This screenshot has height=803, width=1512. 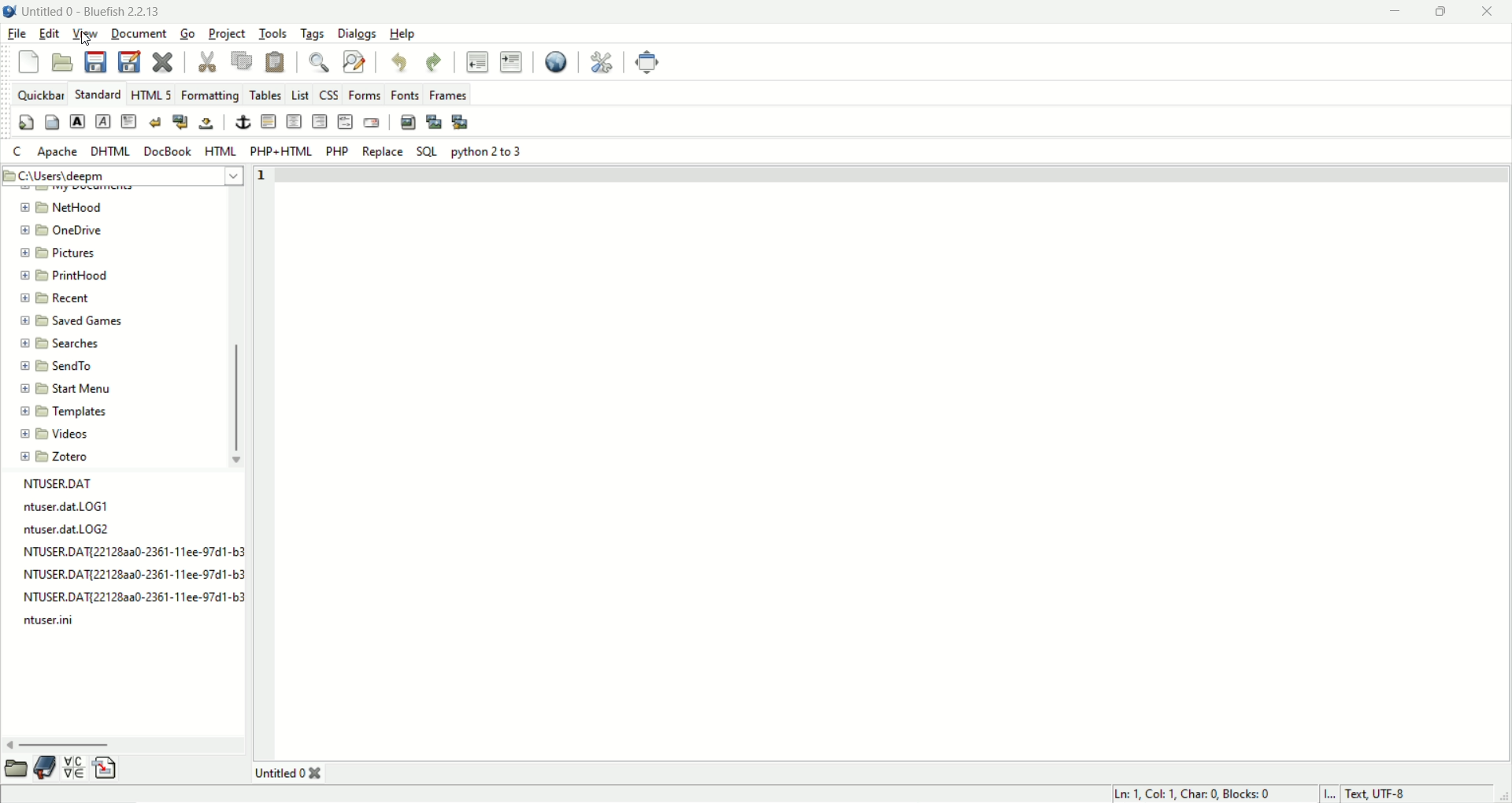 What do you see at coordinates (74, 767) in the screenshot?
I see `insert special character` at bounding box center [74, 767].